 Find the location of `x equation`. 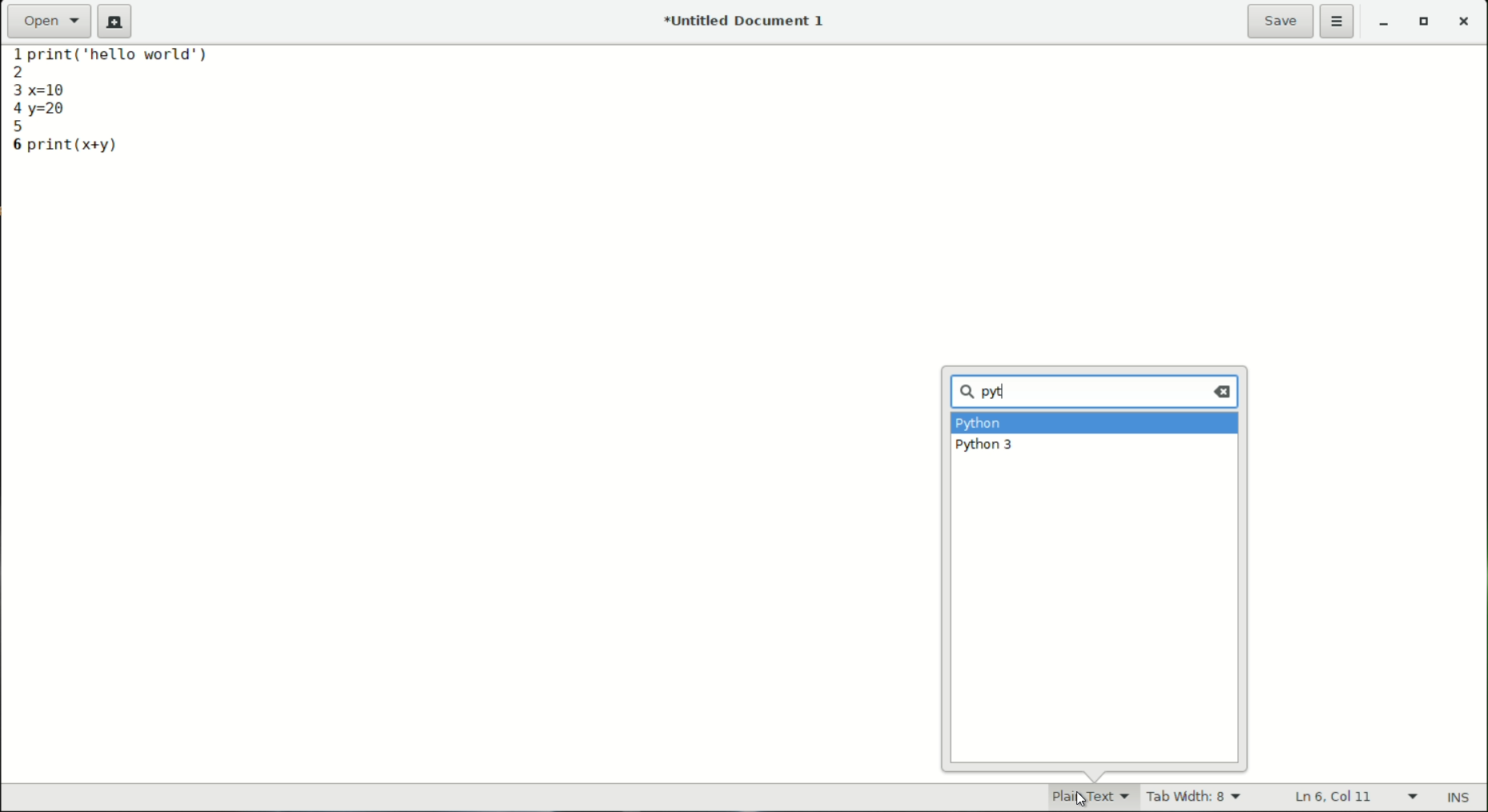

x equation is located at coordinates (62, 87).